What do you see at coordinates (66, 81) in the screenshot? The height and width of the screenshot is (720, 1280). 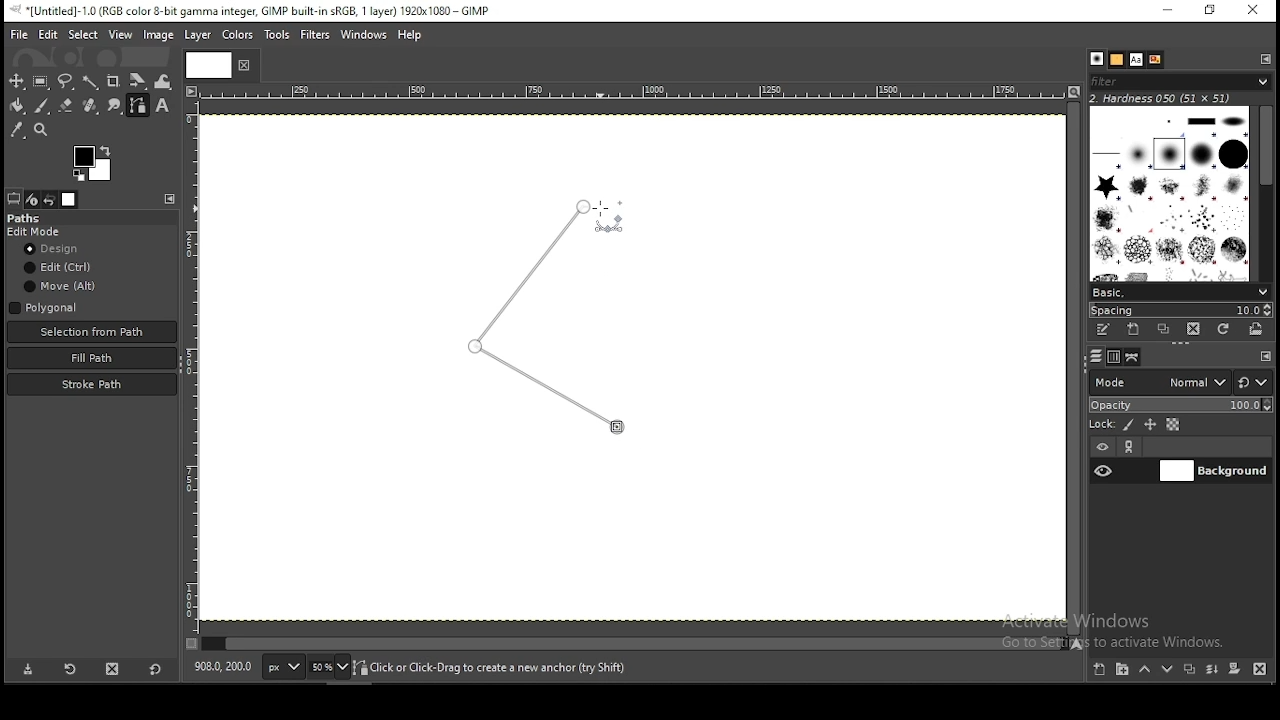 I see `free selection tool` at bounding box center [66, 81].